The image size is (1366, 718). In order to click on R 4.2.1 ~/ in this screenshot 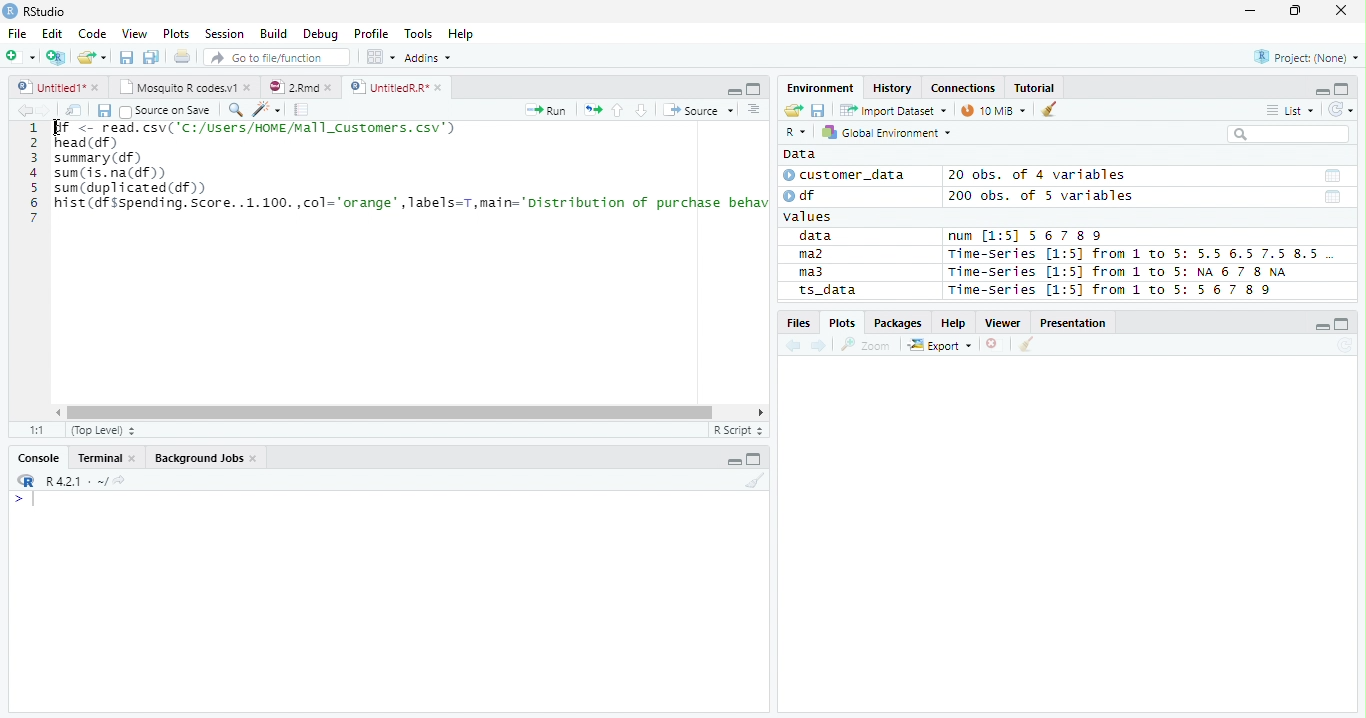, I will do `click(75, 480)`.